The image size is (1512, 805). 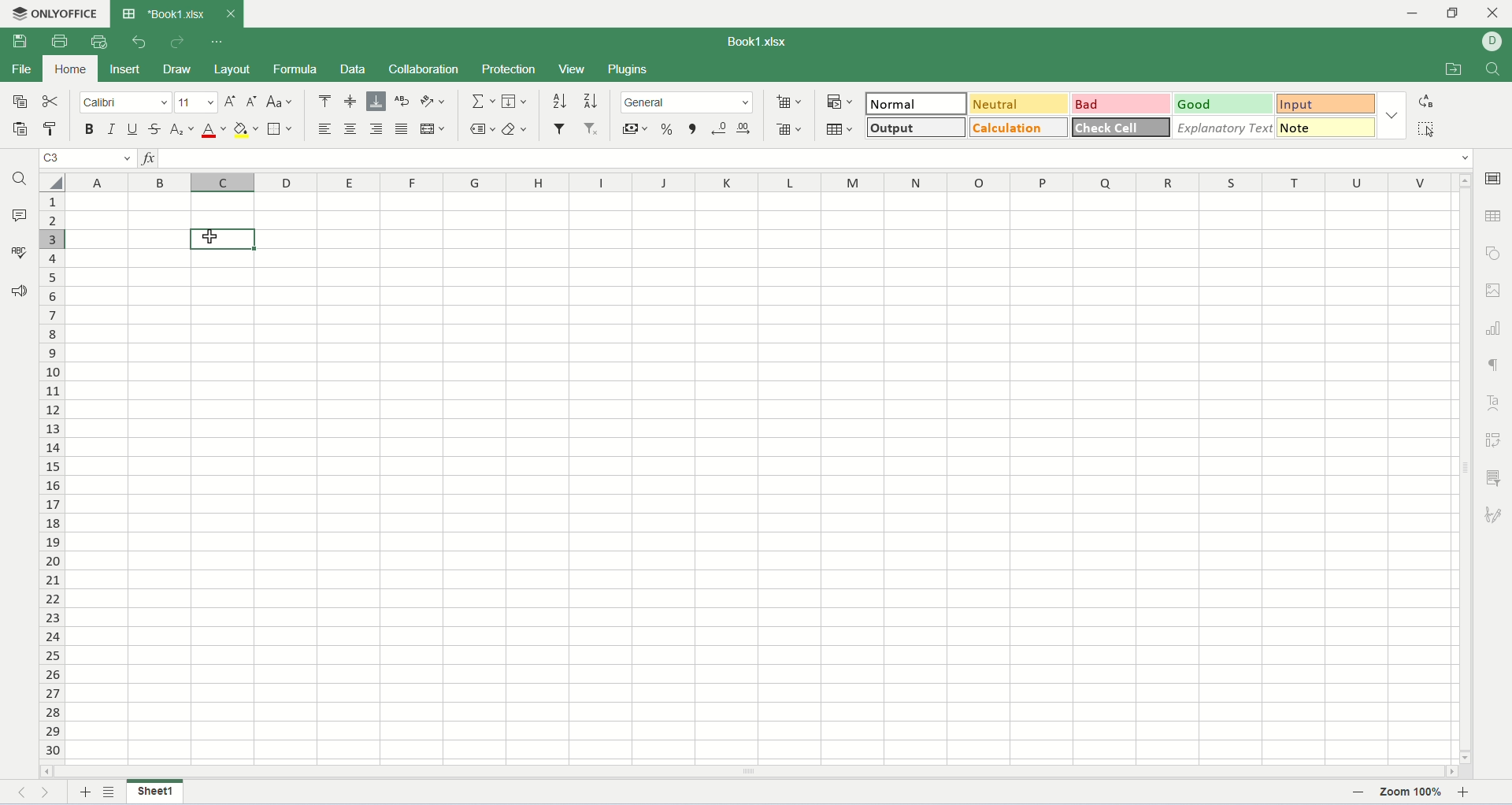 I want to click on sort ascending, so click(x=561, y=101).